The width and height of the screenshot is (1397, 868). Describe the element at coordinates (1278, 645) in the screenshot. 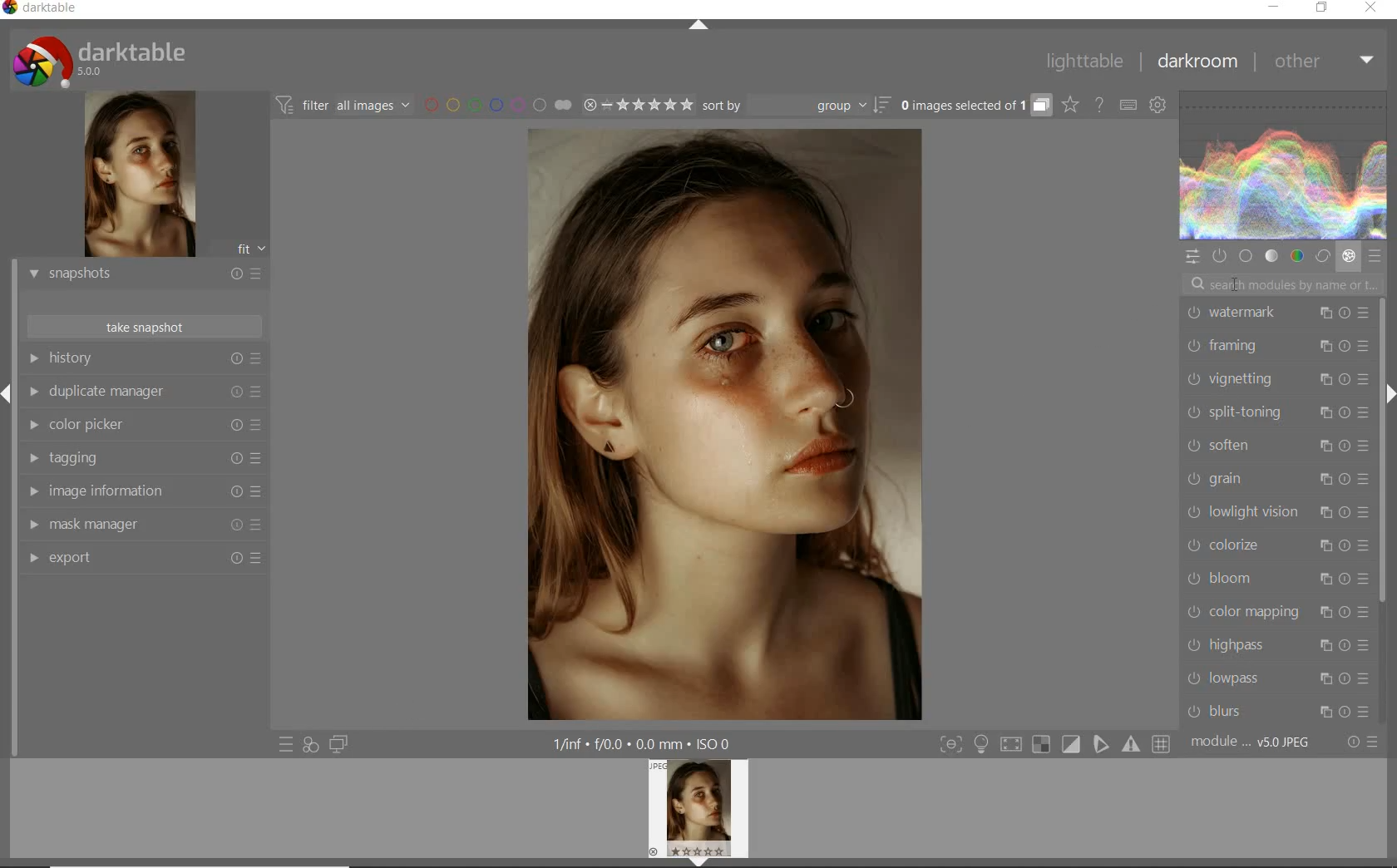

I see `highpass` at that location.